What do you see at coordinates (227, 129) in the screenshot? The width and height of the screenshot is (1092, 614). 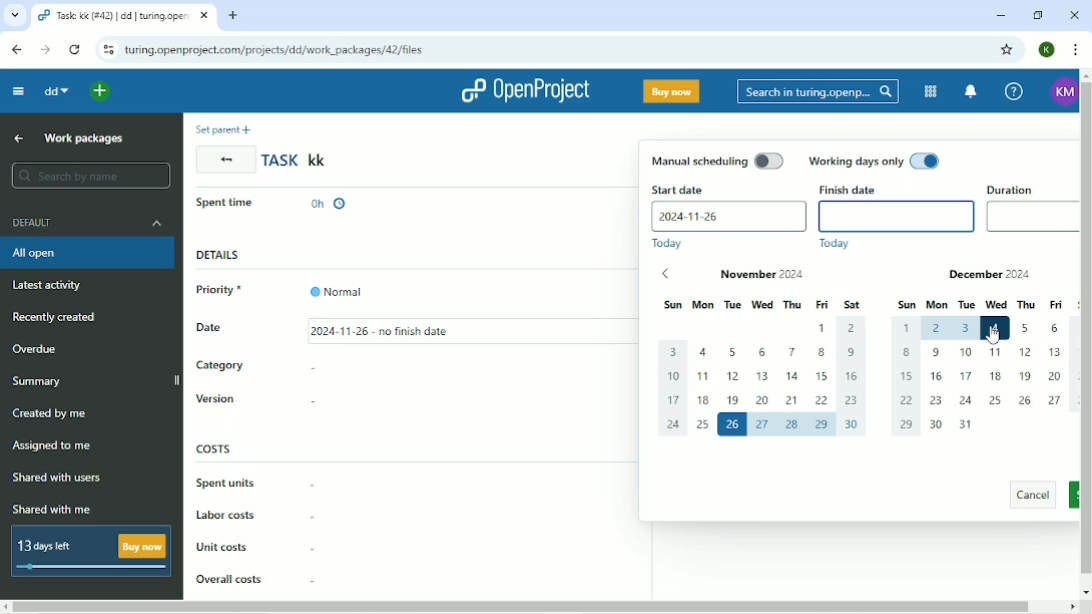 I see `Set parent` at bounding box center [227, 129].